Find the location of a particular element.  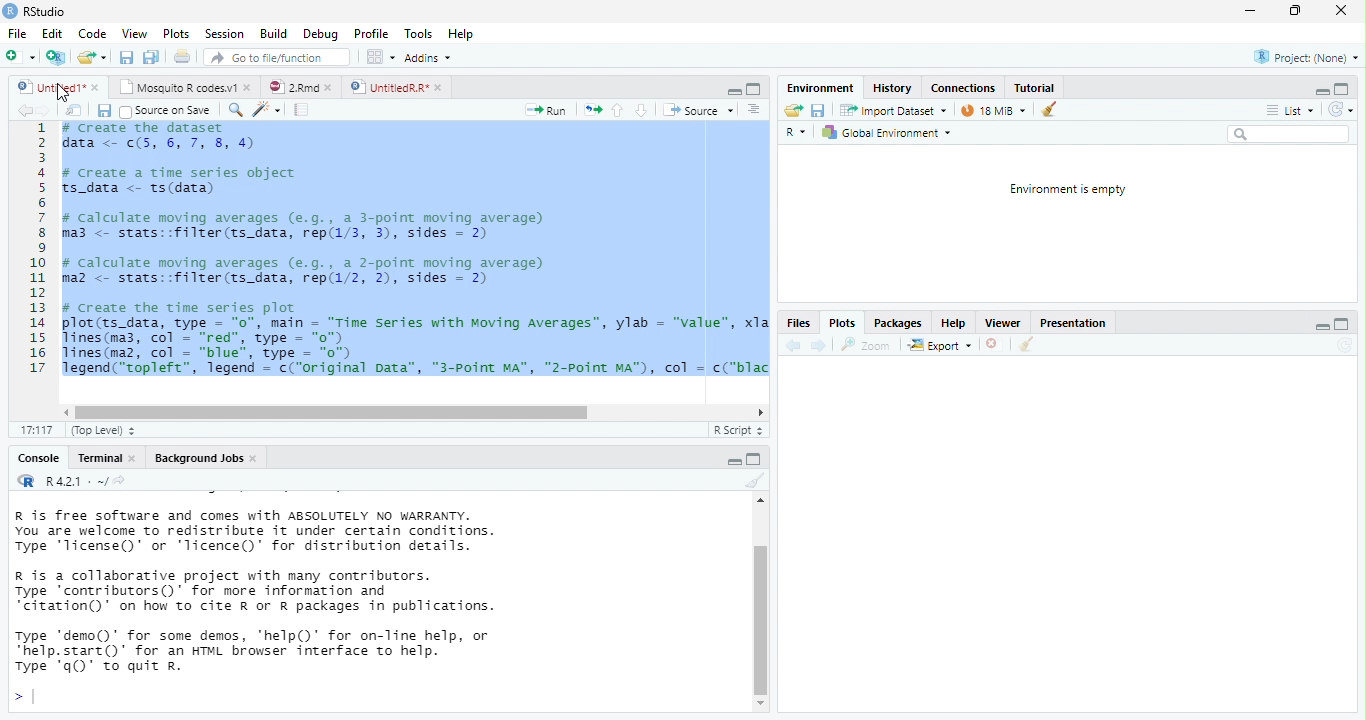

Code is located at coordinates (93, 33).